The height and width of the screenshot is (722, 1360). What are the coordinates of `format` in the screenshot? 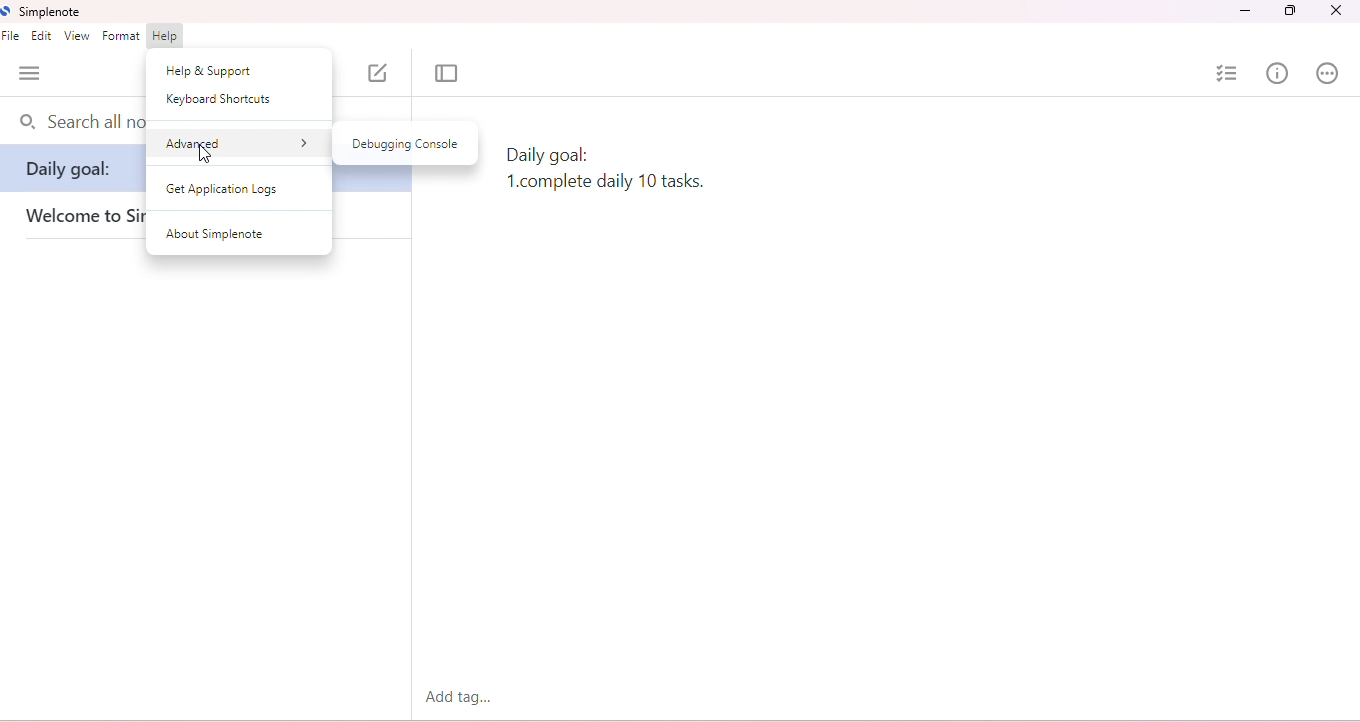 It's located at (121, 36).